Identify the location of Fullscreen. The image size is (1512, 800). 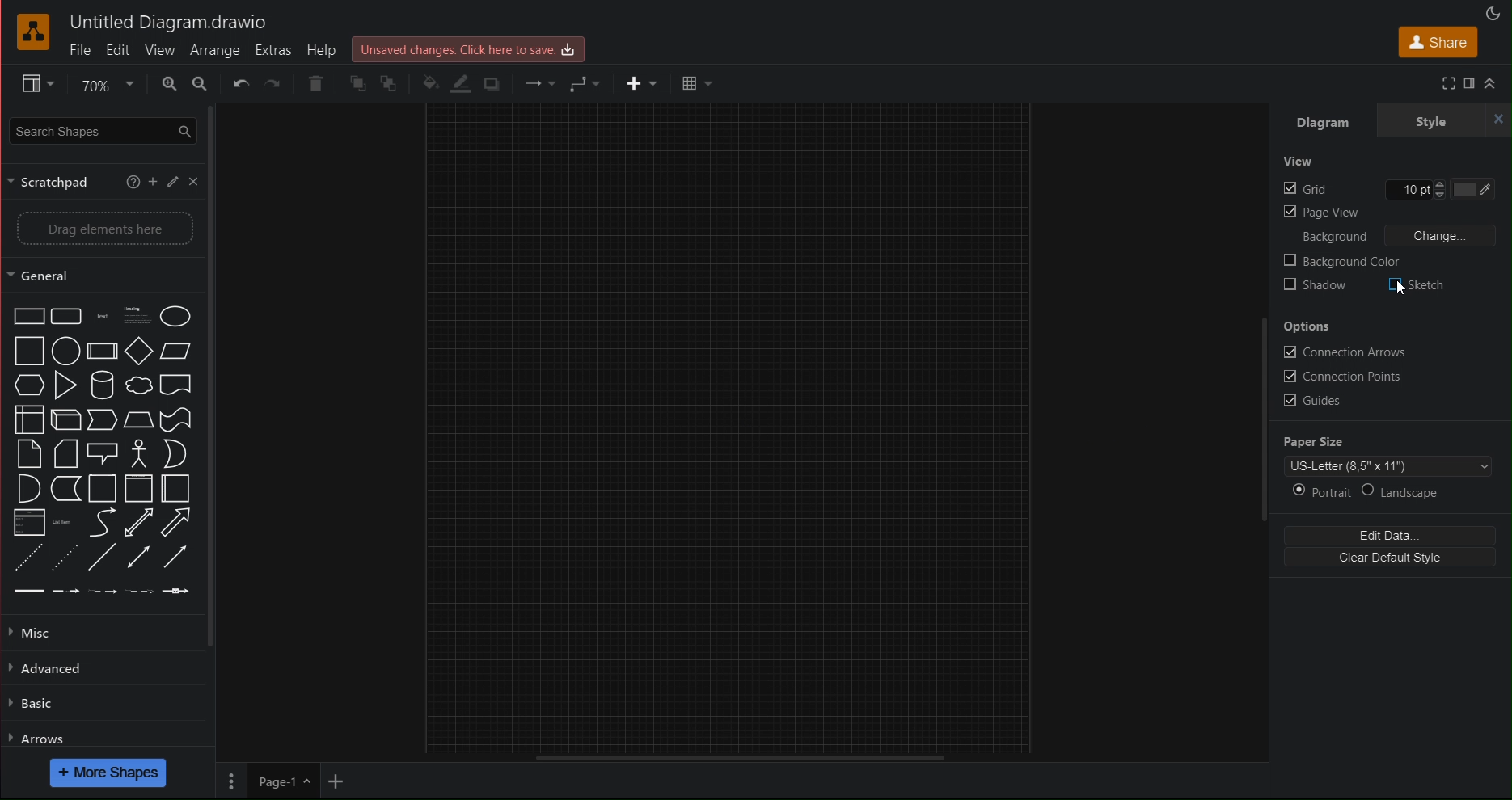
(1447, 85).